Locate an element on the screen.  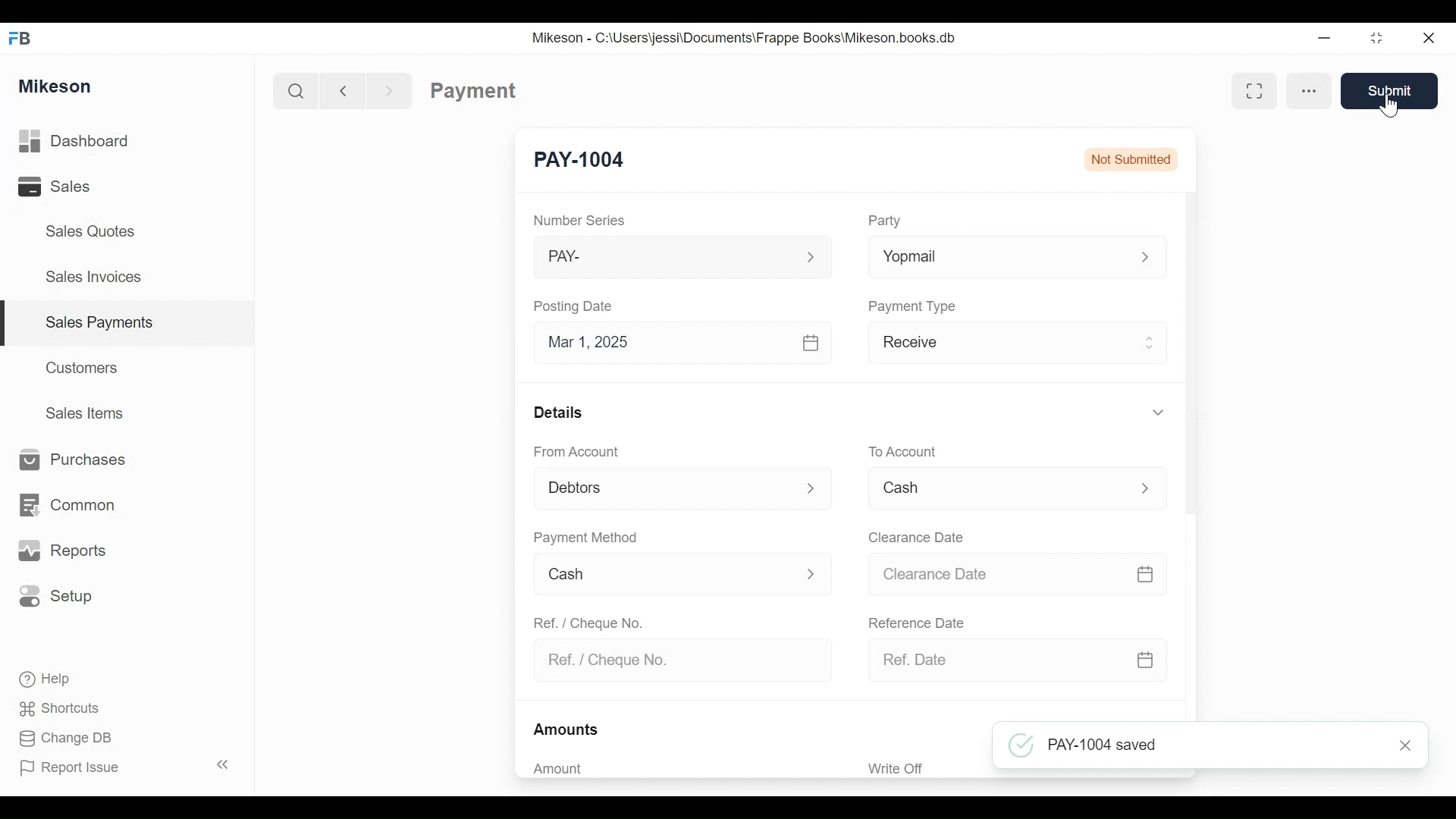
Payment is located at coordinates (472, 89).